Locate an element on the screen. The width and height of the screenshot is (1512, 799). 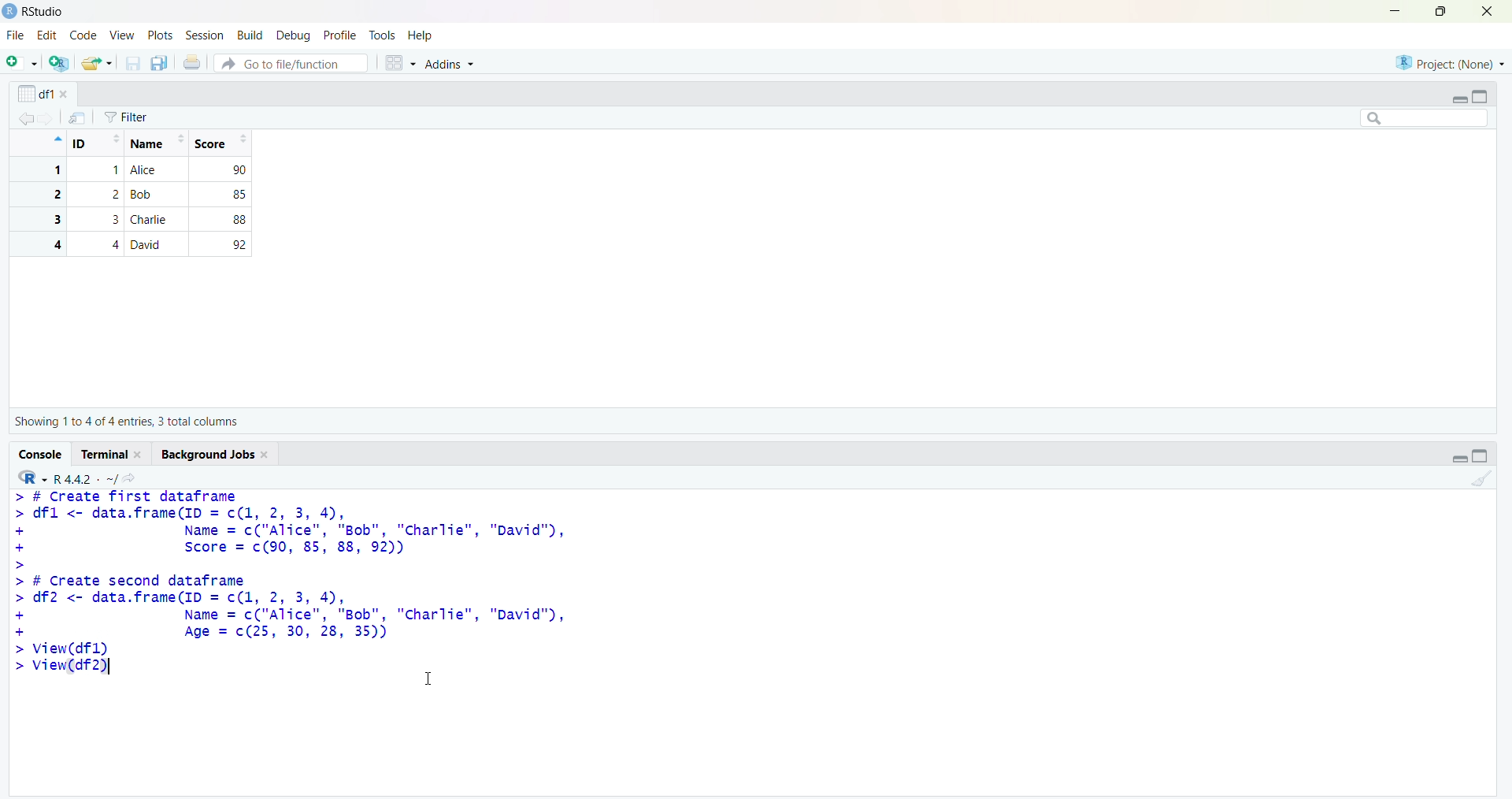
Showing 1 to 4 of 4 entries, 3 total columns is located at coordinates (126, 422).